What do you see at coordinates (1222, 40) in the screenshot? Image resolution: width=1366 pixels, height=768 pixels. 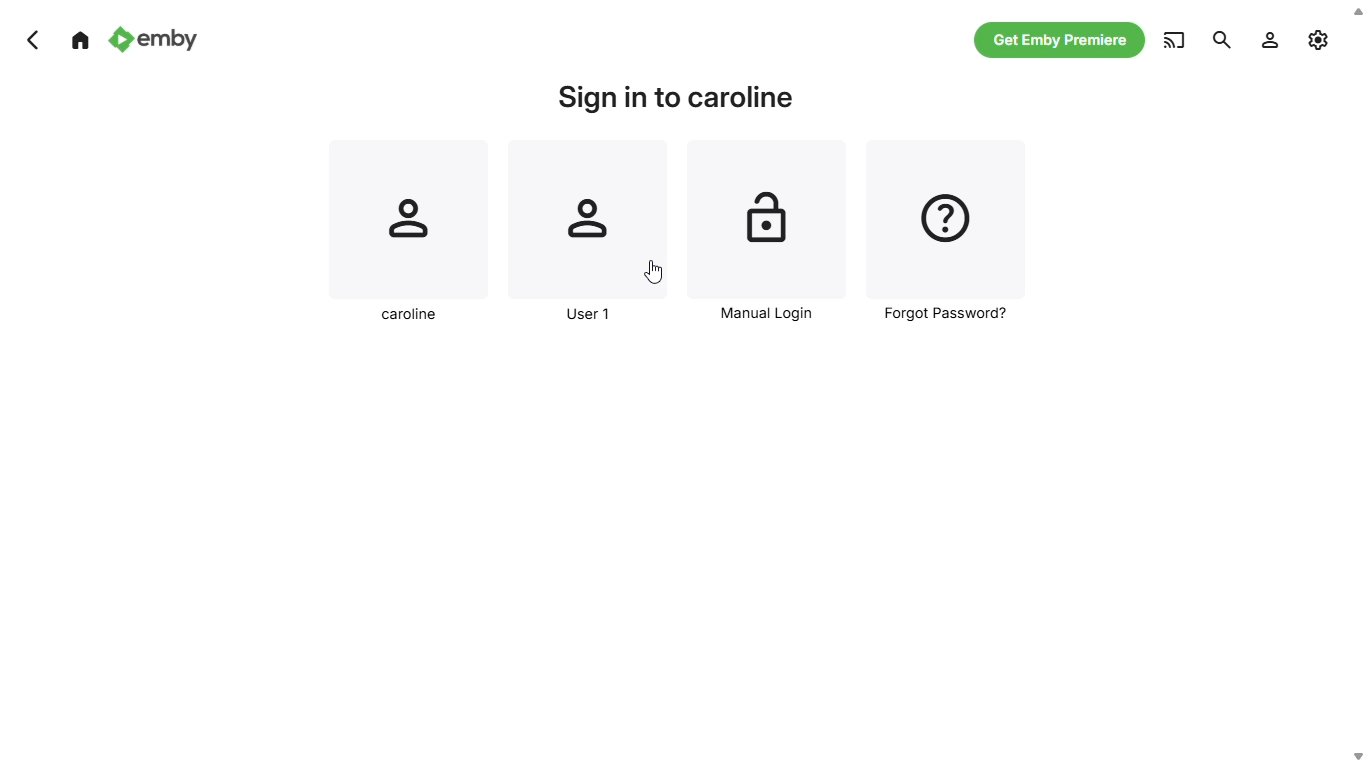 I see `play on another device` at bounding box center [1222, 40].